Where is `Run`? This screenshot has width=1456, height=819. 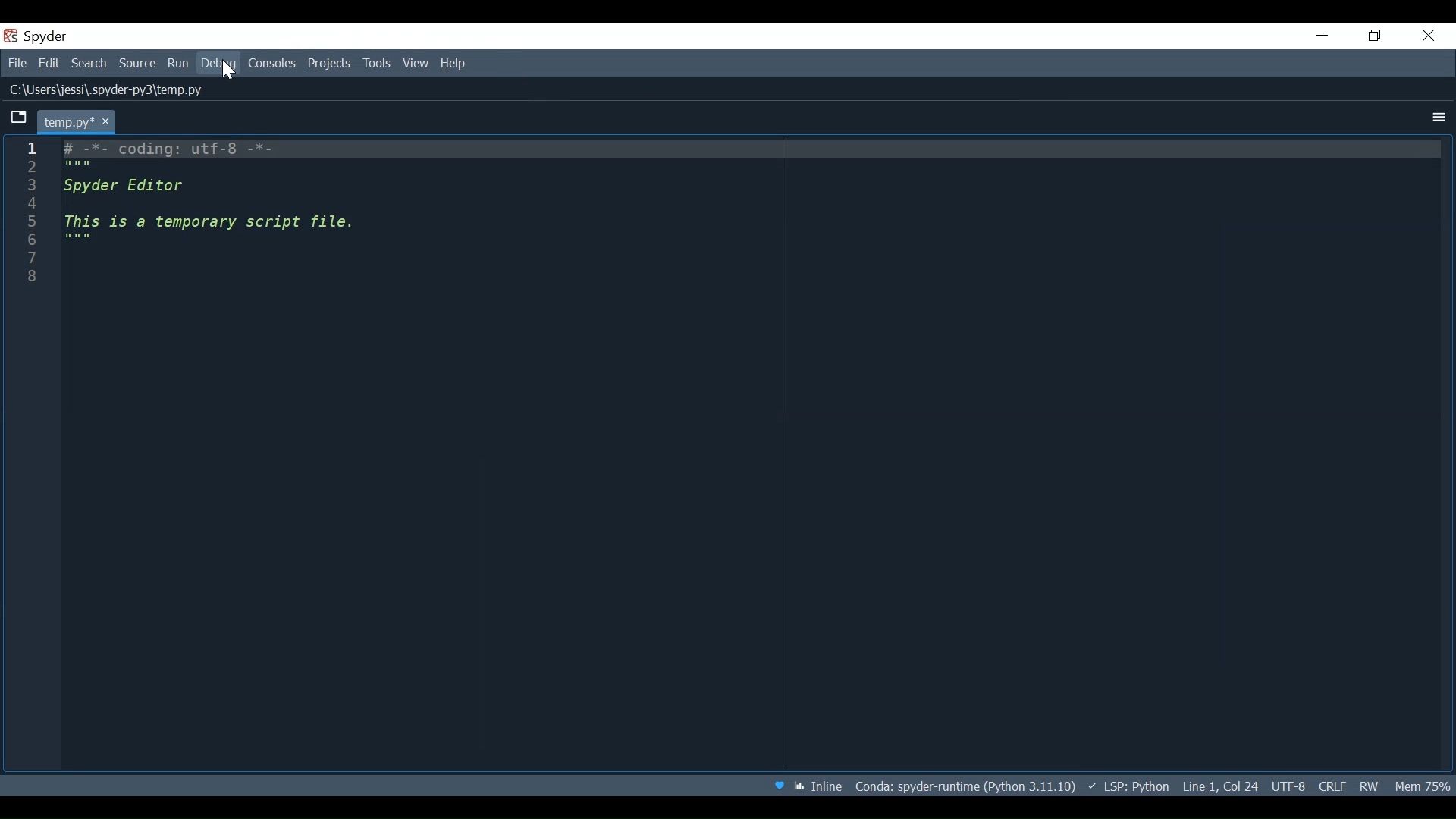
Run is located at coordinates (178, 64).